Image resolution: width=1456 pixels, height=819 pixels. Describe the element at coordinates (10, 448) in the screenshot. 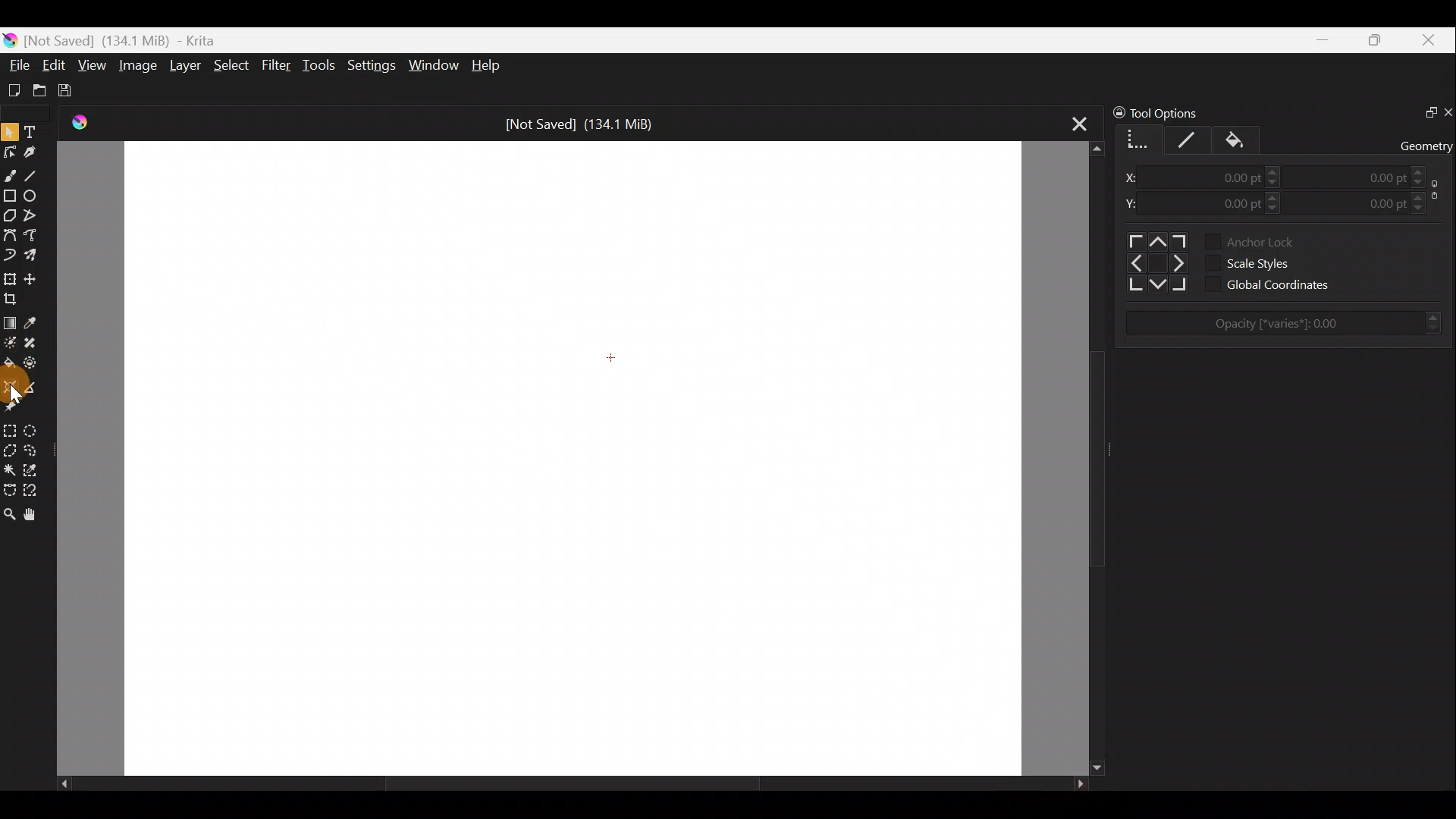

I see `Polygonal selection tool` at that location.